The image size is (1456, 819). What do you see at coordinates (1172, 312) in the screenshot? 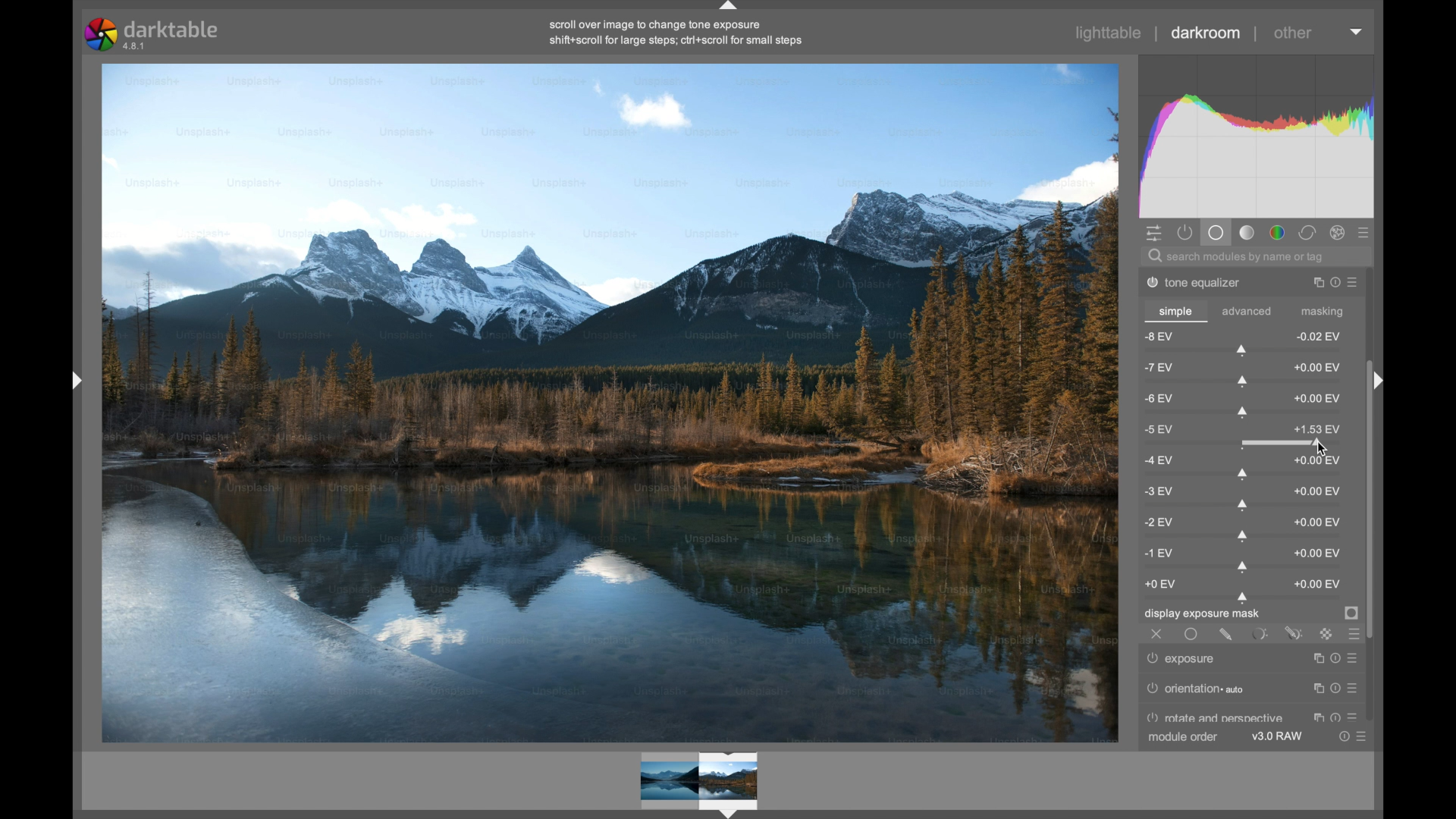
I see `simple` at bounding box center [1172, 312].